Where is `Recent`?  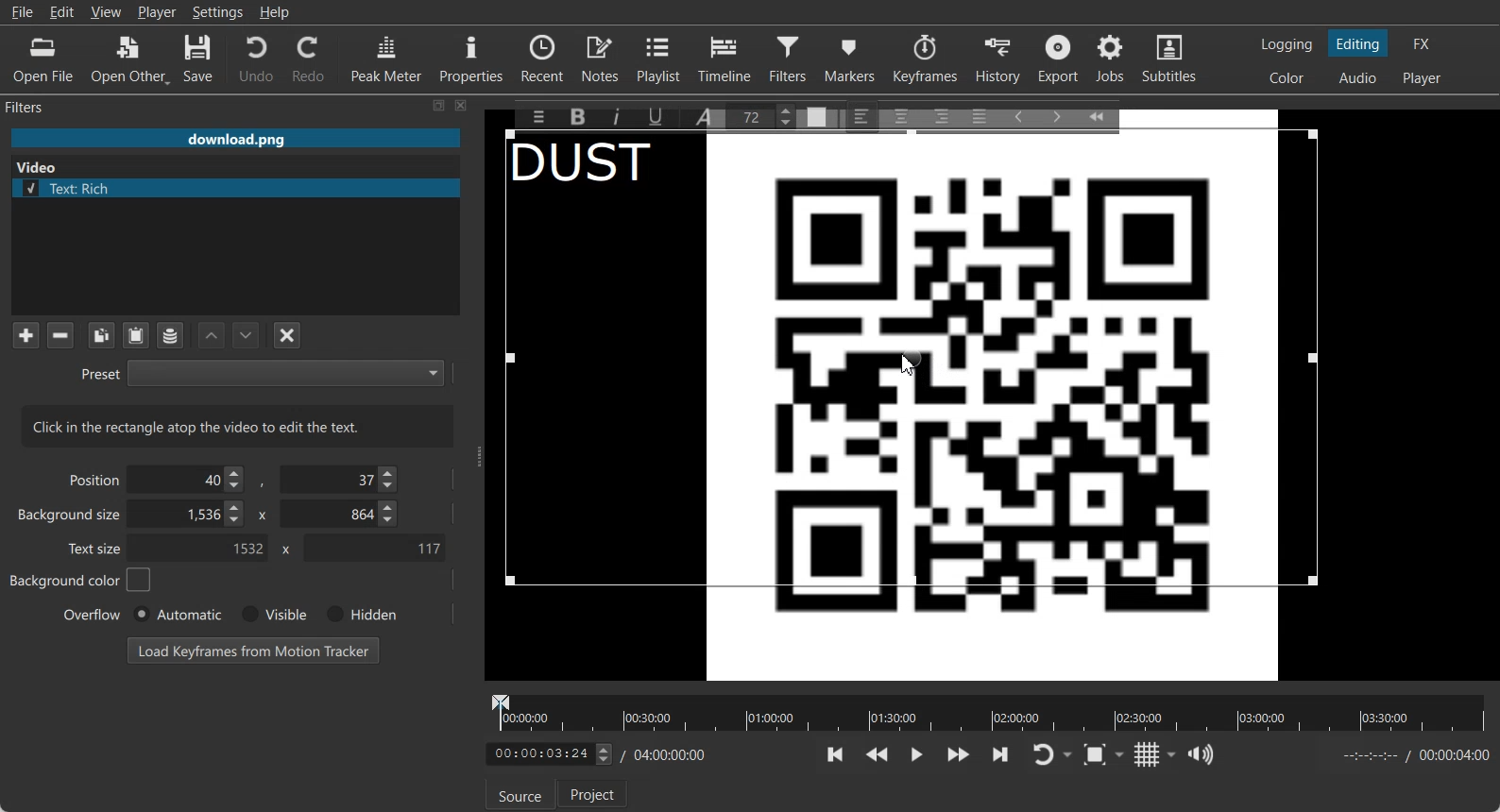
Recent is located at coordinates (542, 57).